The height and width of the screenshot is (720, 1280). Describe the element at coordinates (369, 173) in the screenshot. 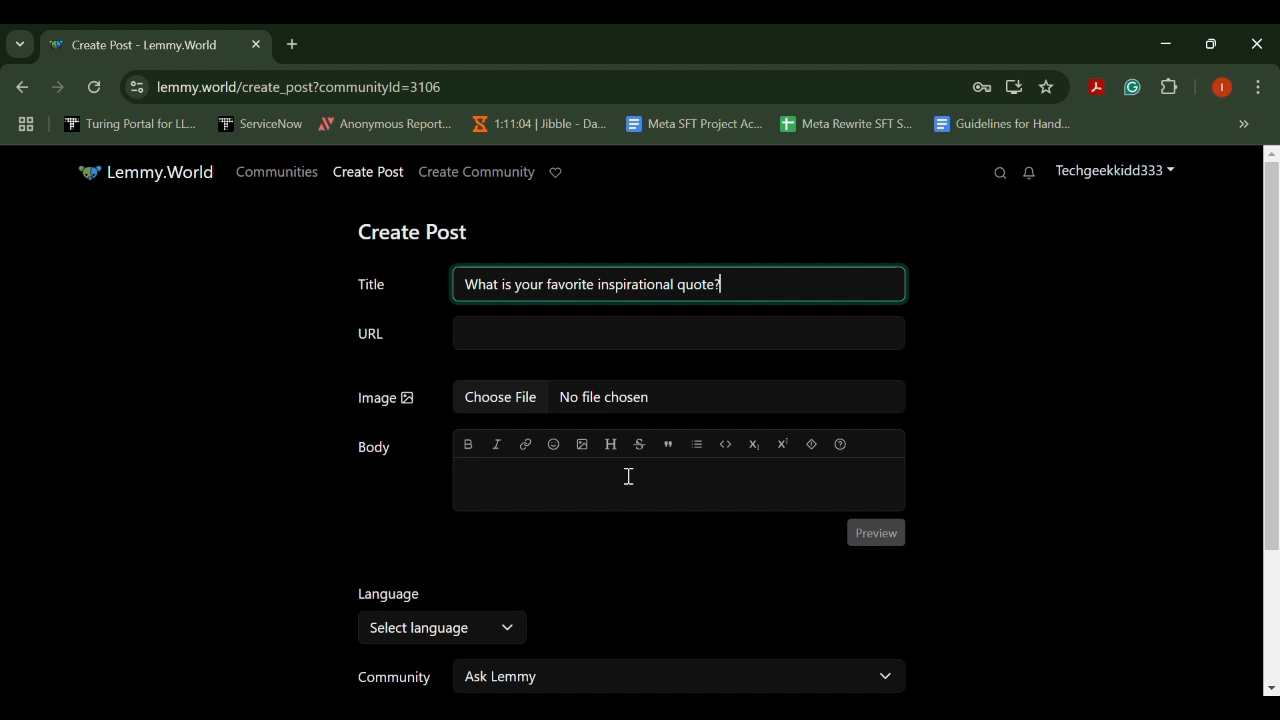

I see `Create Post` at that location.